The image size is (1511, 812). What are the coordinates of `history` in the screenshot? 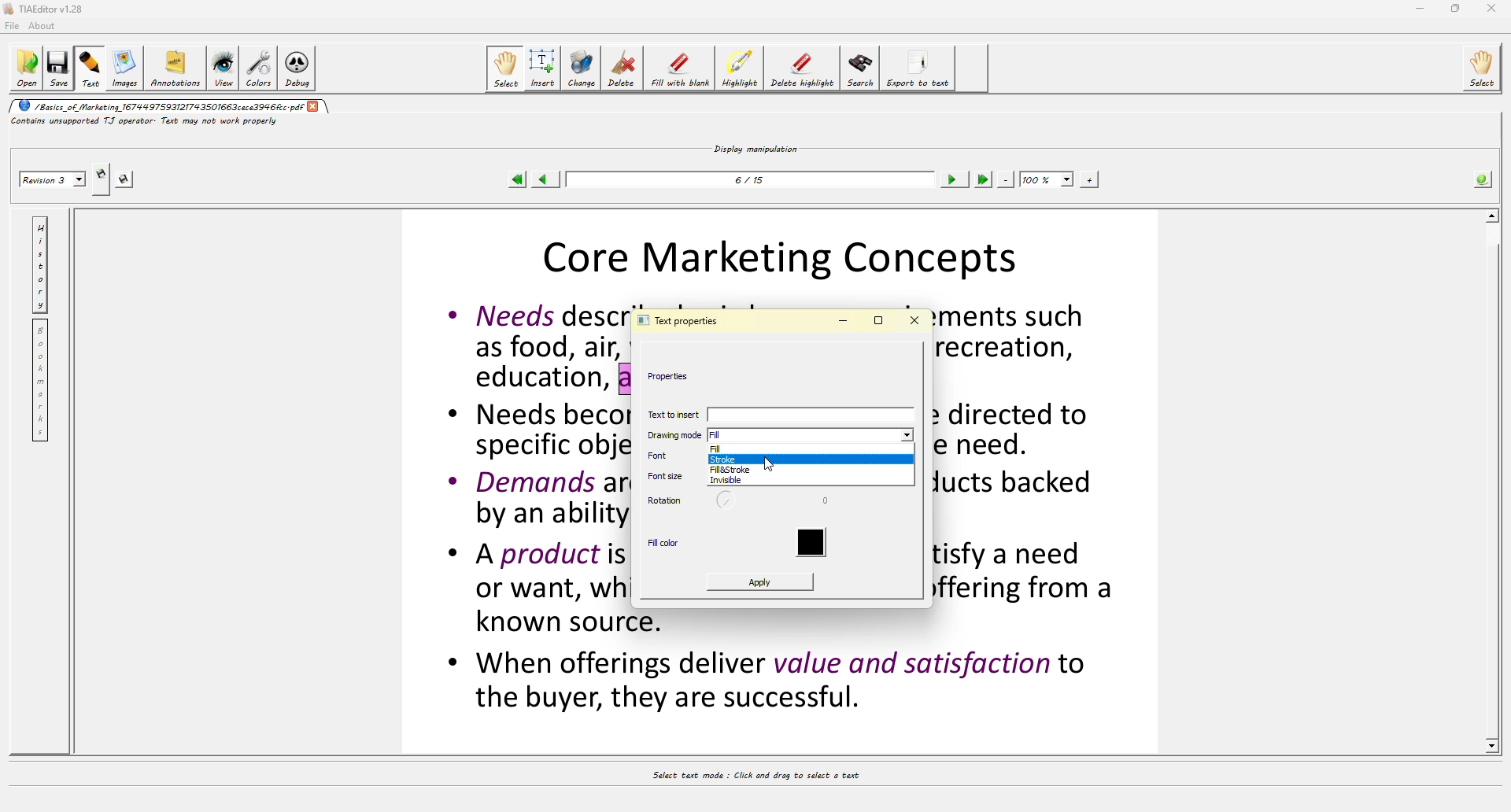 It's located at (42, 266).